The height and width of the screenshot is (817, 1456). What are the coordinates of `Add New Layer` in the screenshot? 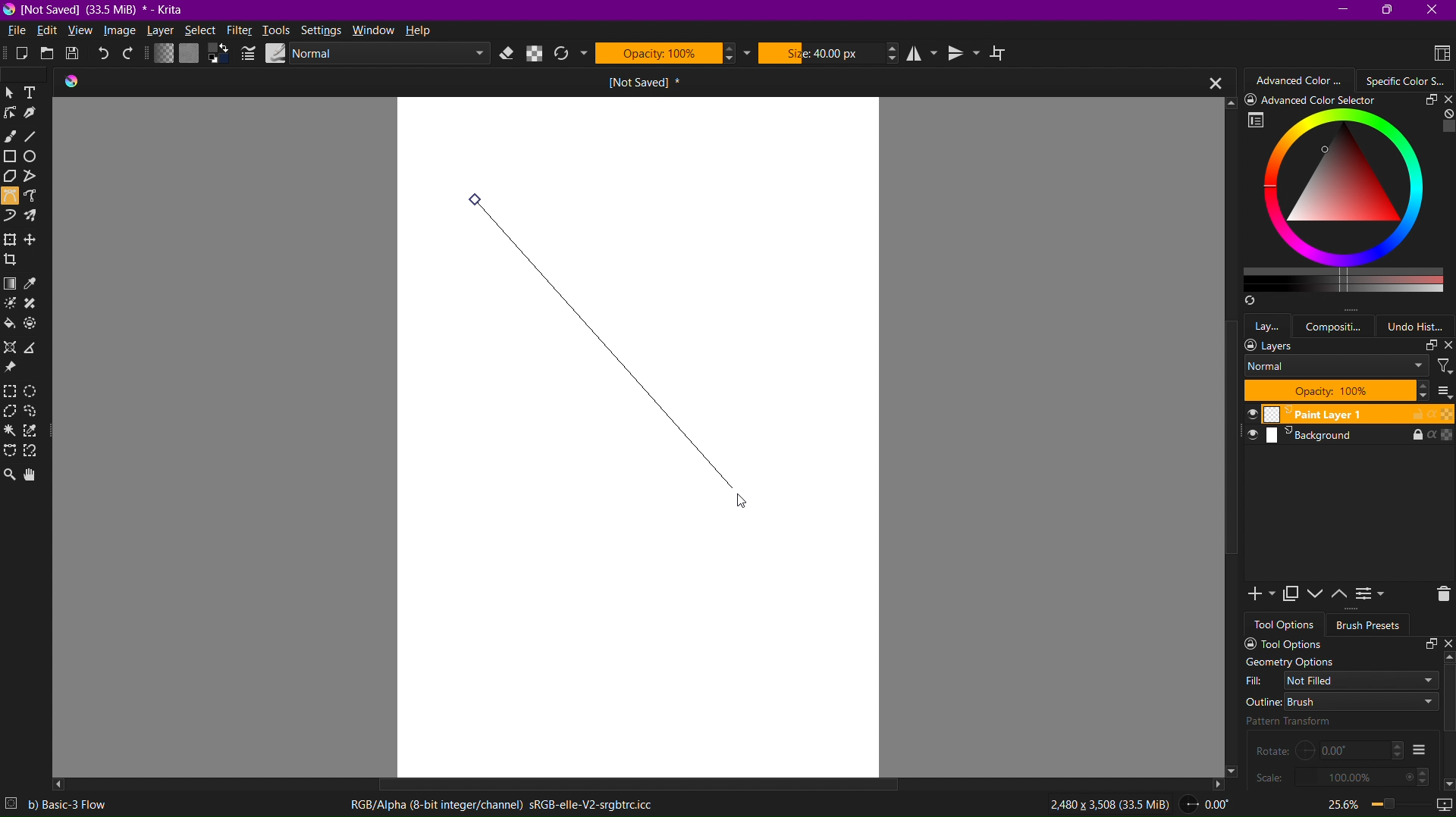 It's located at (1257, 595).